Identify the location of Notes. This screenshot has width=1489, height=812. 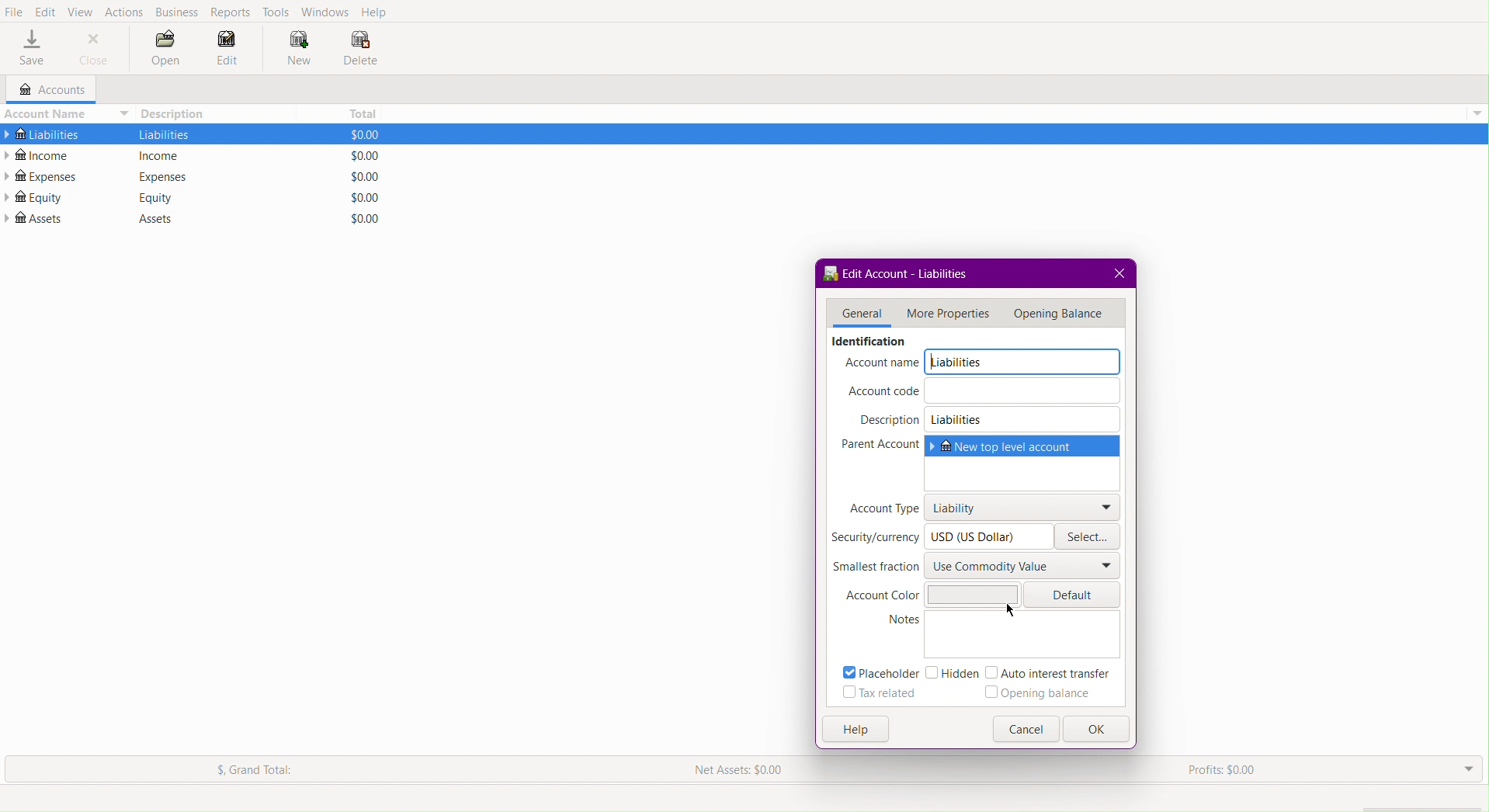
(1021, 636).